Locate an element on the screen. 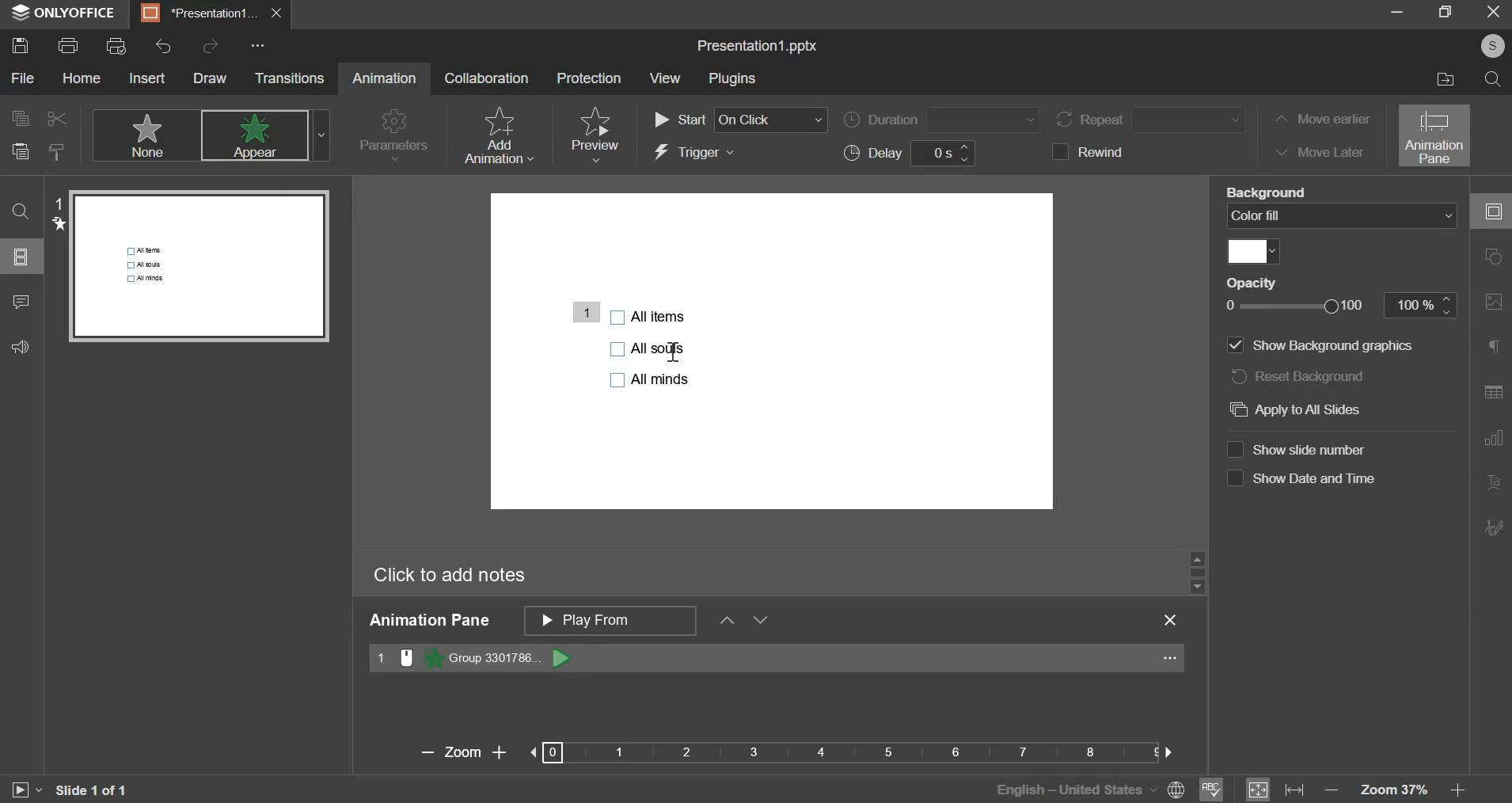 This screenshot has width=1512, height=803. none is located at coordinates (145, 135).